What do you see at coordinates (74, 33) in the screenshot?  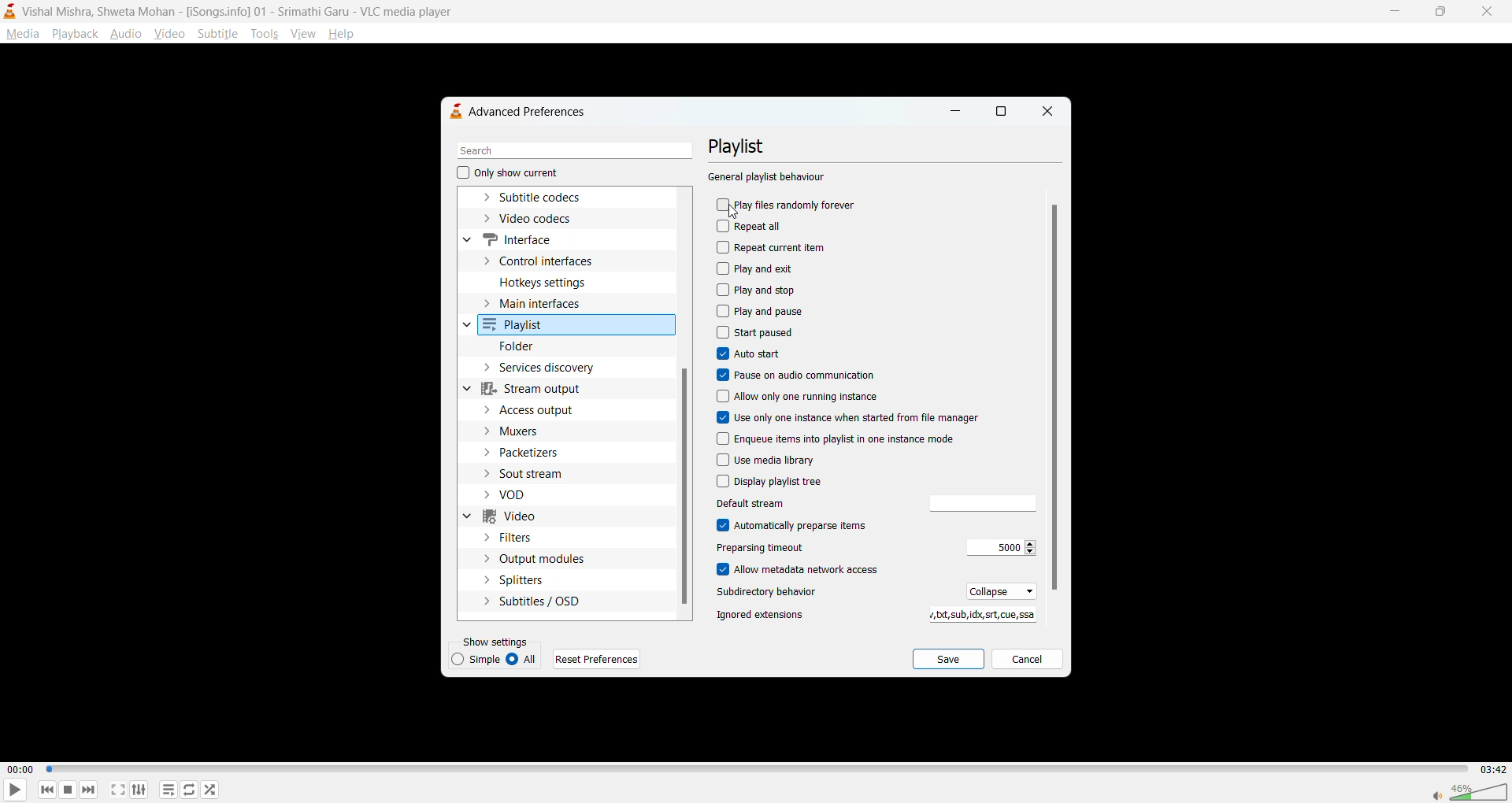 I see `playback` at bounding box center [74, 33].